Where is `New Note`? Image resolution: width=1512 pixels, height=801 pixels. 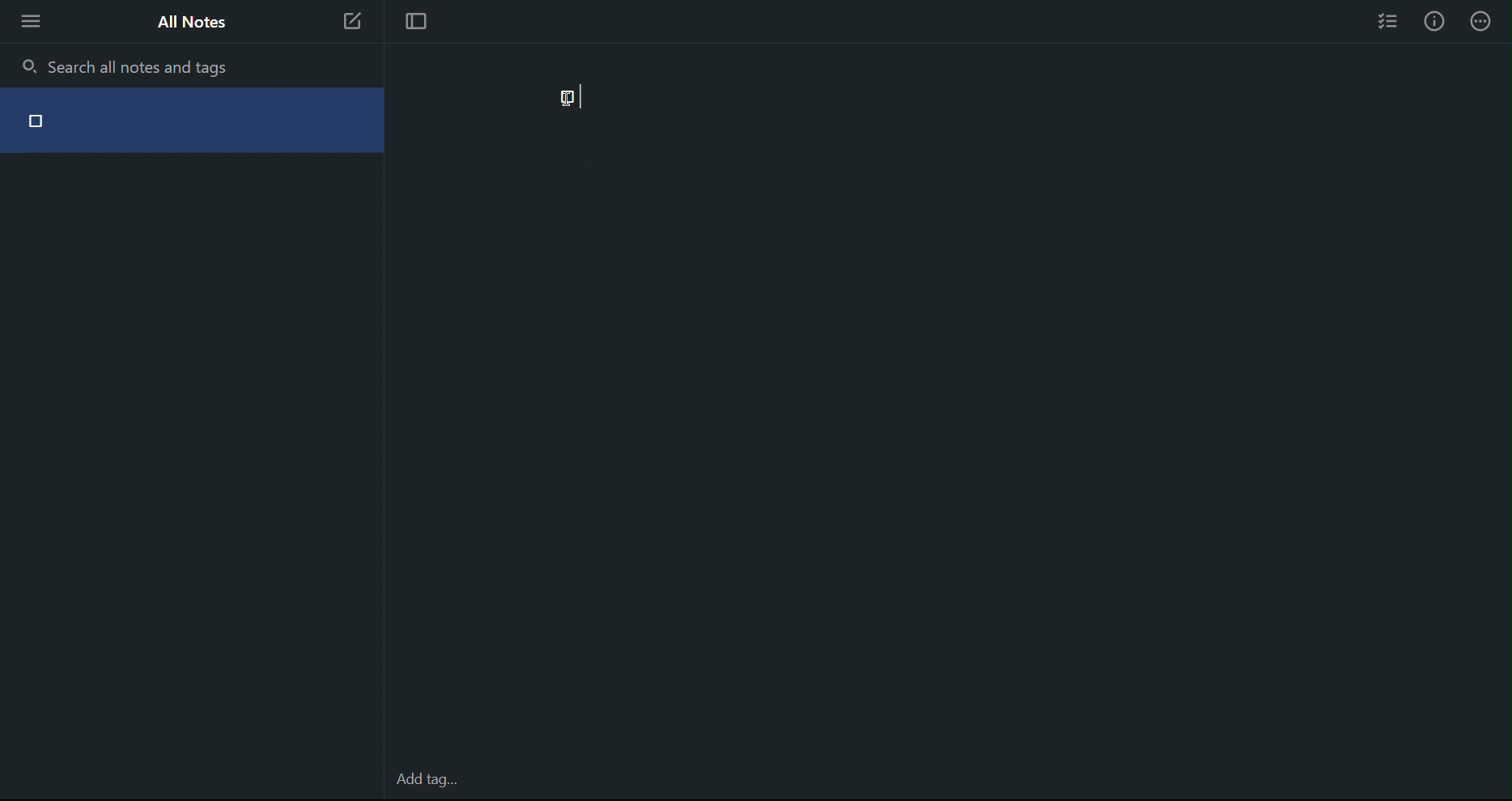
New Note is located at coordinates (354, 20).